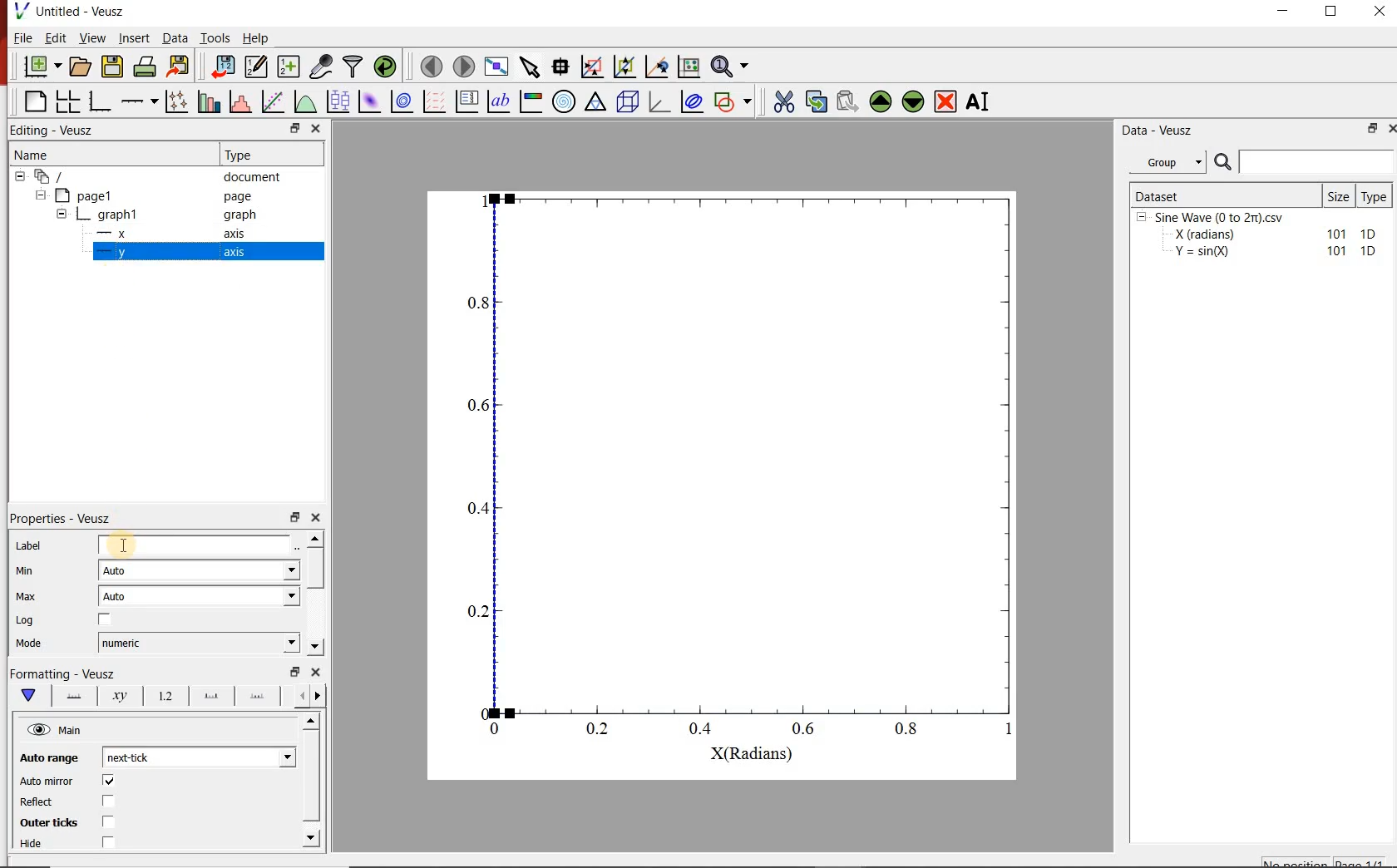 Image resolution: width=1397 pixels, height=868 pixels. What do you see at coordinates (93, 37) in the screenshot?
I see `View` at bounding box center [93, 37].